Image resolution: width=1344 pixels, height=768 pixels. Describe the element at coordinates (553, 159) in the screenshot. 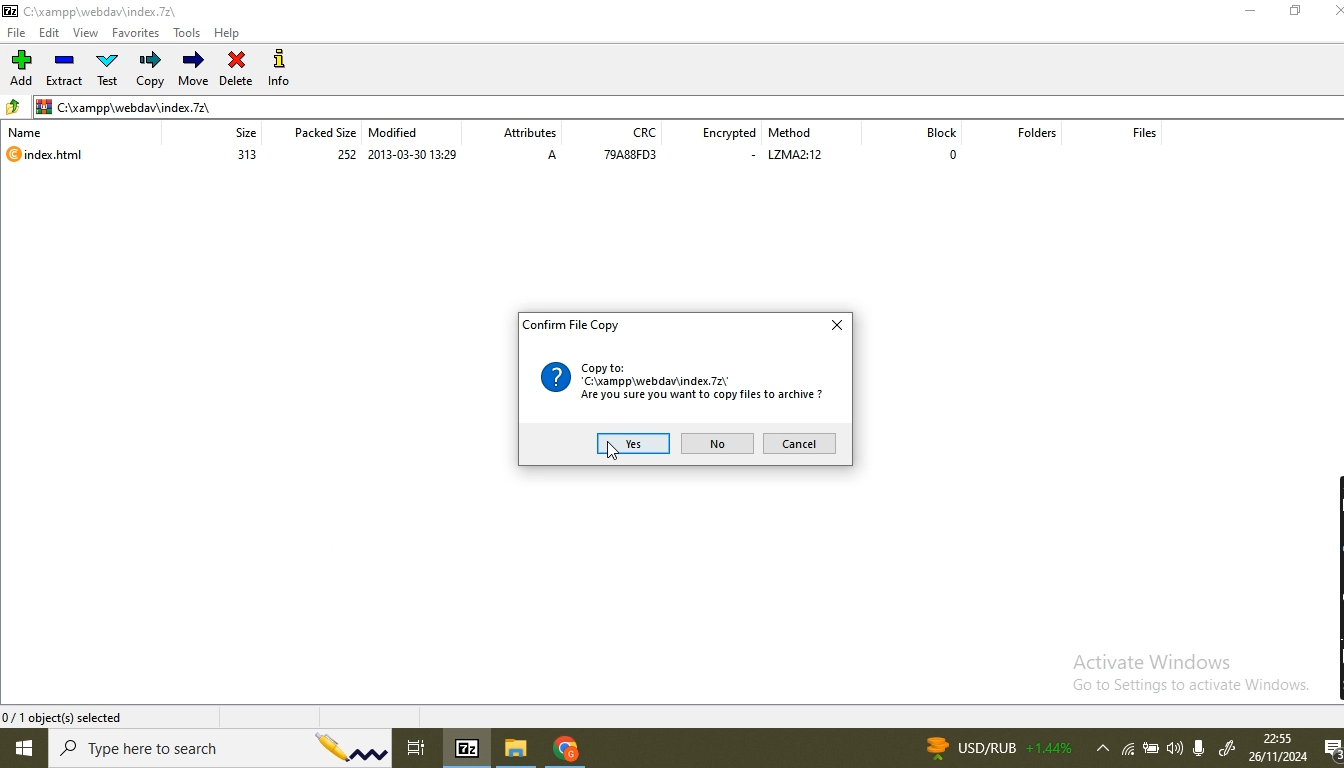

I see `A` at that location.